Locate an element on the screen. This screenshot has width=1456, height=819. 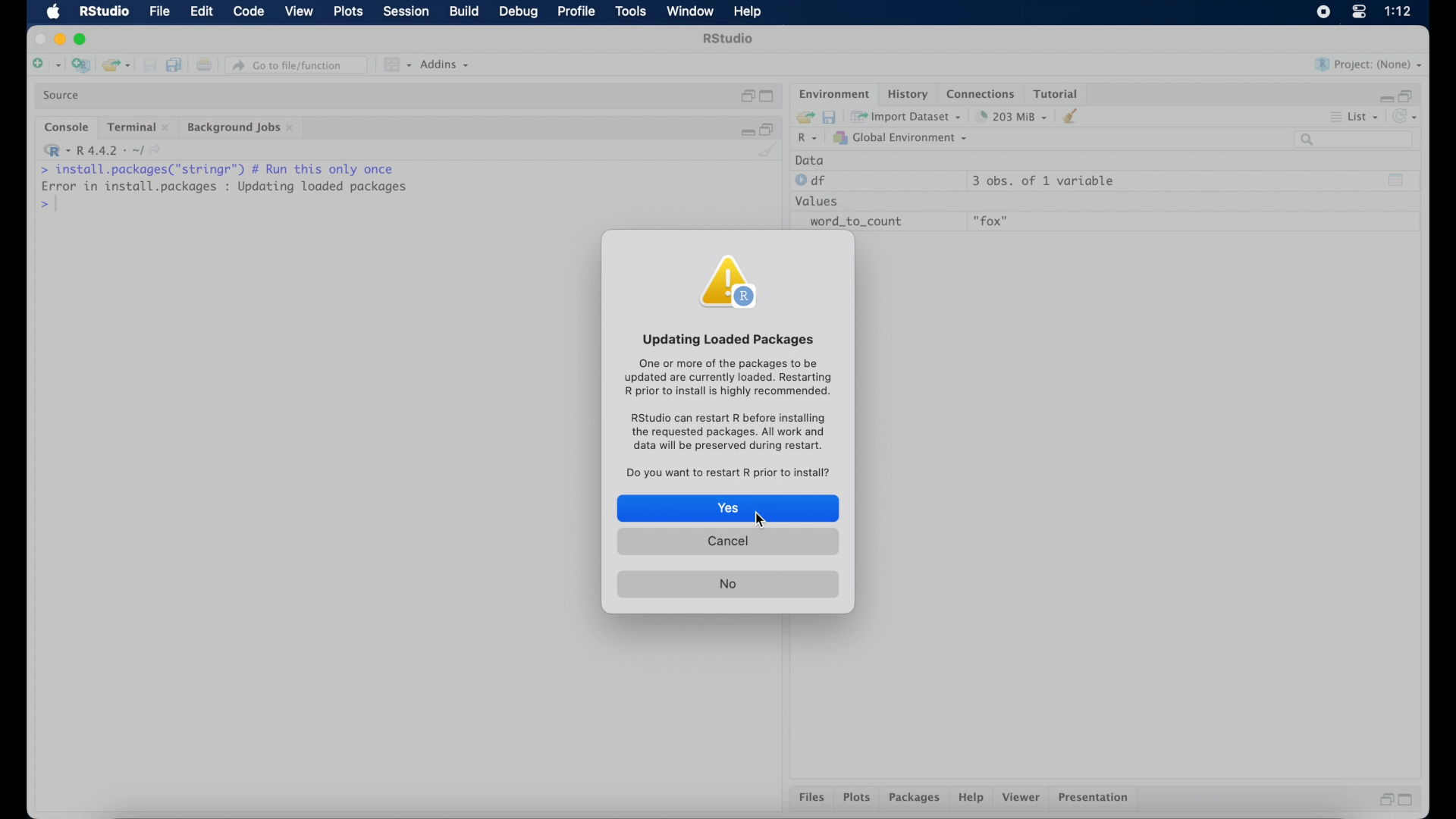
Updating Loaded Packages
One or more of the packages to be
updated are currently loaded. Restarting
R prior to install is highly recommended.
RStudio can restart R before installing
the requested packages. All work and
data will be preserved during restart.
Do you want to restart R prior to install? is located at coordinates (725, 404).